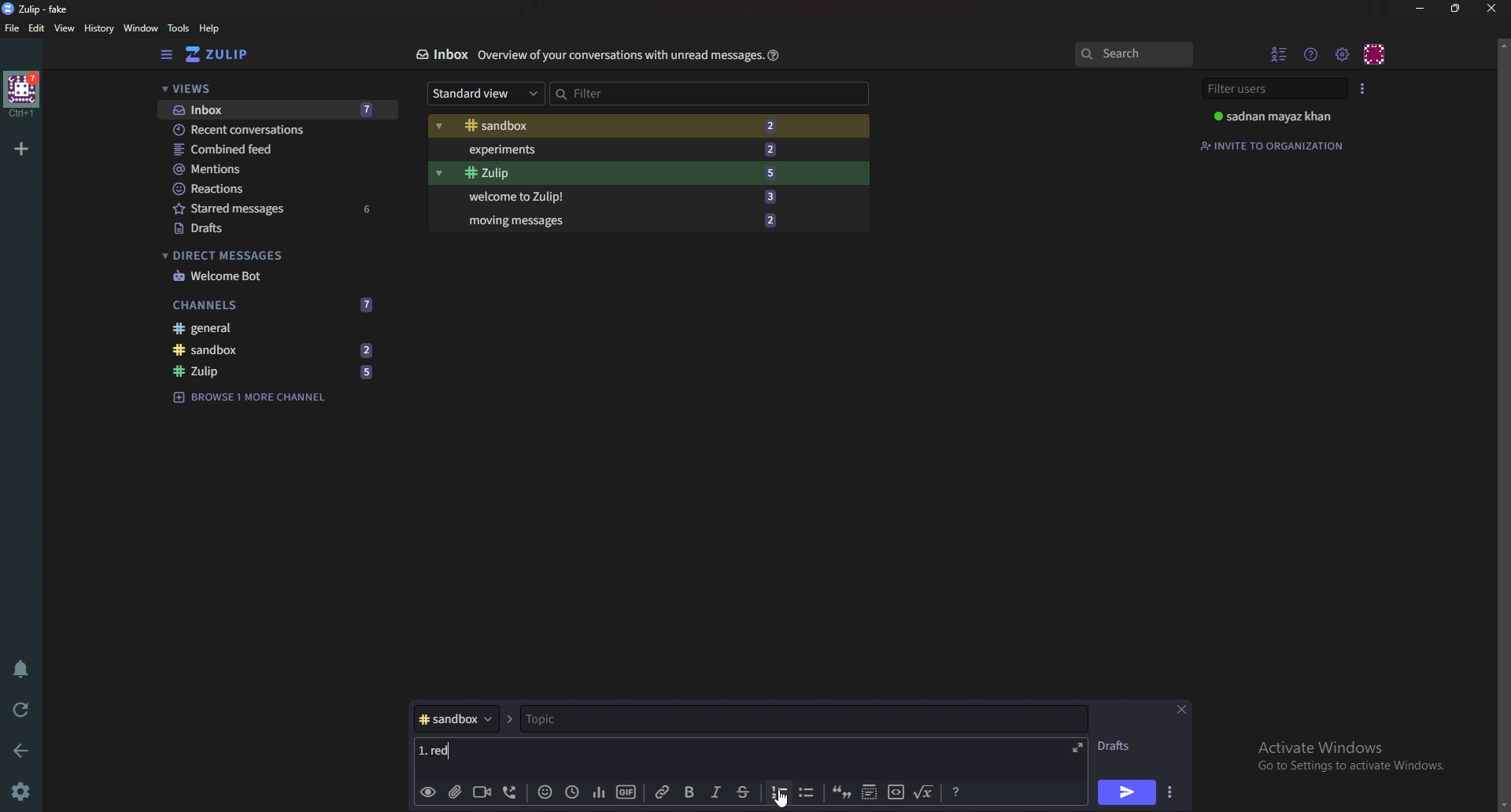 This screenshot has width=1511, height=812. What do you see at coordinates (1276, 116) in the screenshot?
I see `User` at bounding box center [1276, 116].